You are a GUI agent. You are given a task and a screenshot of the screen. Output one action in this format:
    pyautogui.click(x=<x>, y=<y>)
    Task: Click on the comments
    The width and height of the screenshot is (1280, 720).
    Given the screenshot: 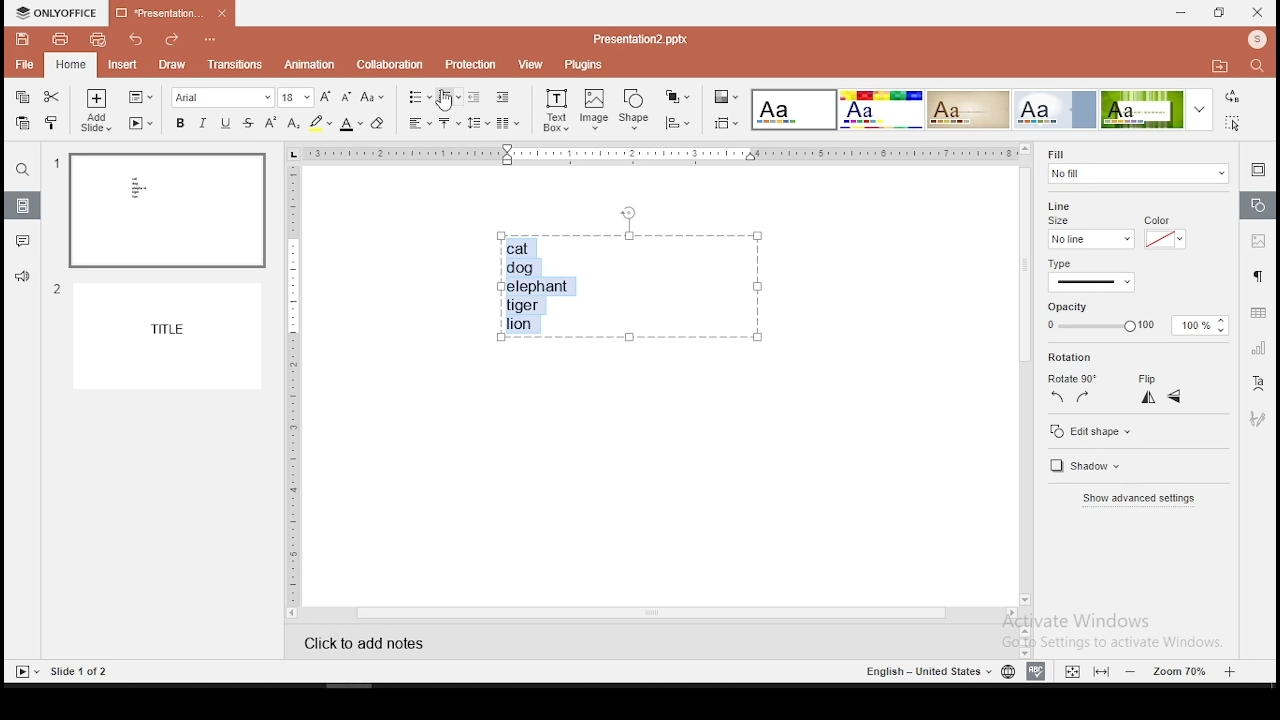 What is the action you would take?
    pyautogui.click(x=23, y=244)
    